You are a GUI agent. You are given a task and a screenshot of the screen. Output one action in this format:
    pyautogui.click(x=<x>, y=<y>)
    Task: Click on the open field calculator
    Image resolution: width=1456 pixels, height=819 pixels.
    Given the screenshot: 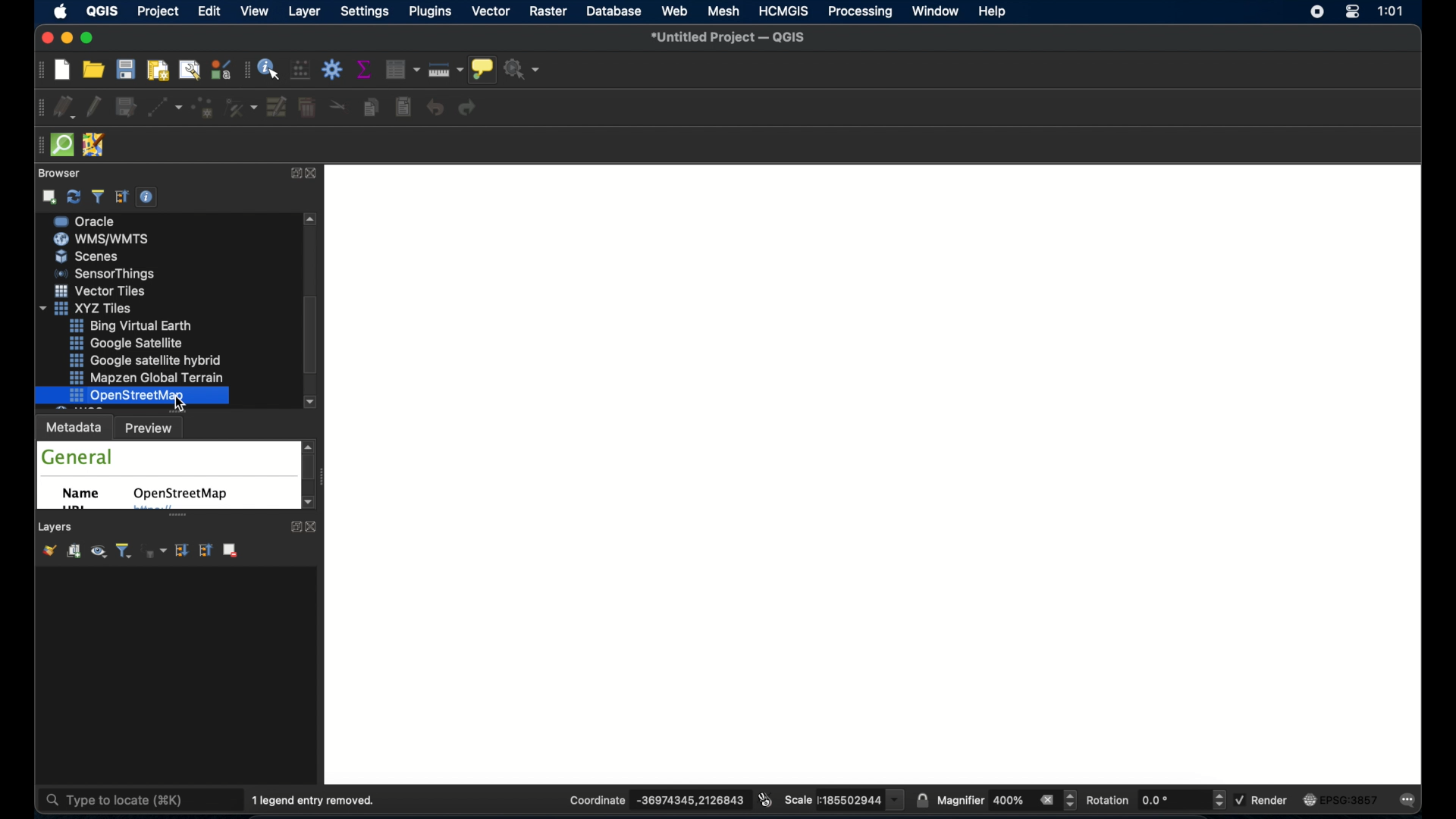 What is the action you would take?
    pyautogui.click(x=300, y=70)
    